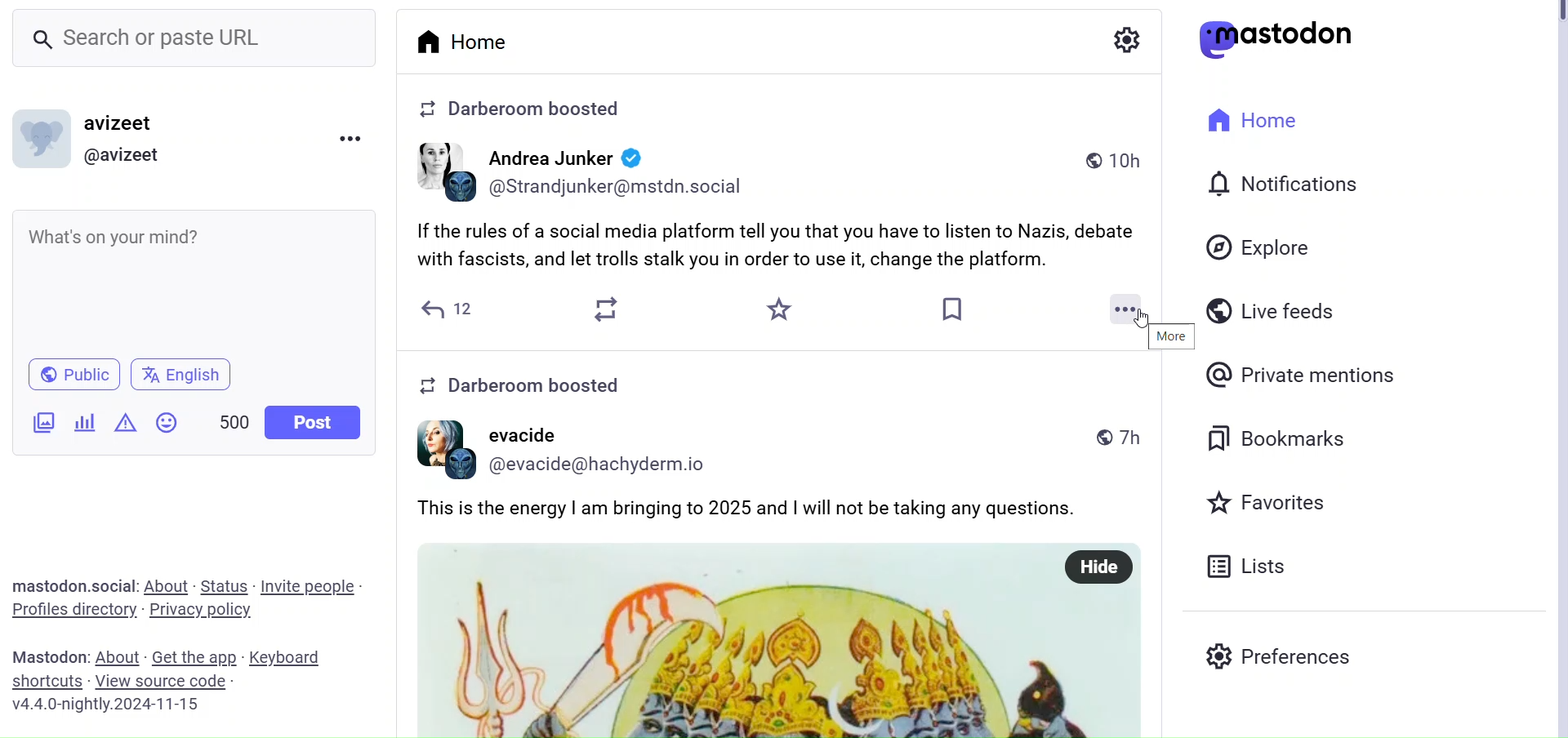  I want to click on Notifications, so click(1283, 185).